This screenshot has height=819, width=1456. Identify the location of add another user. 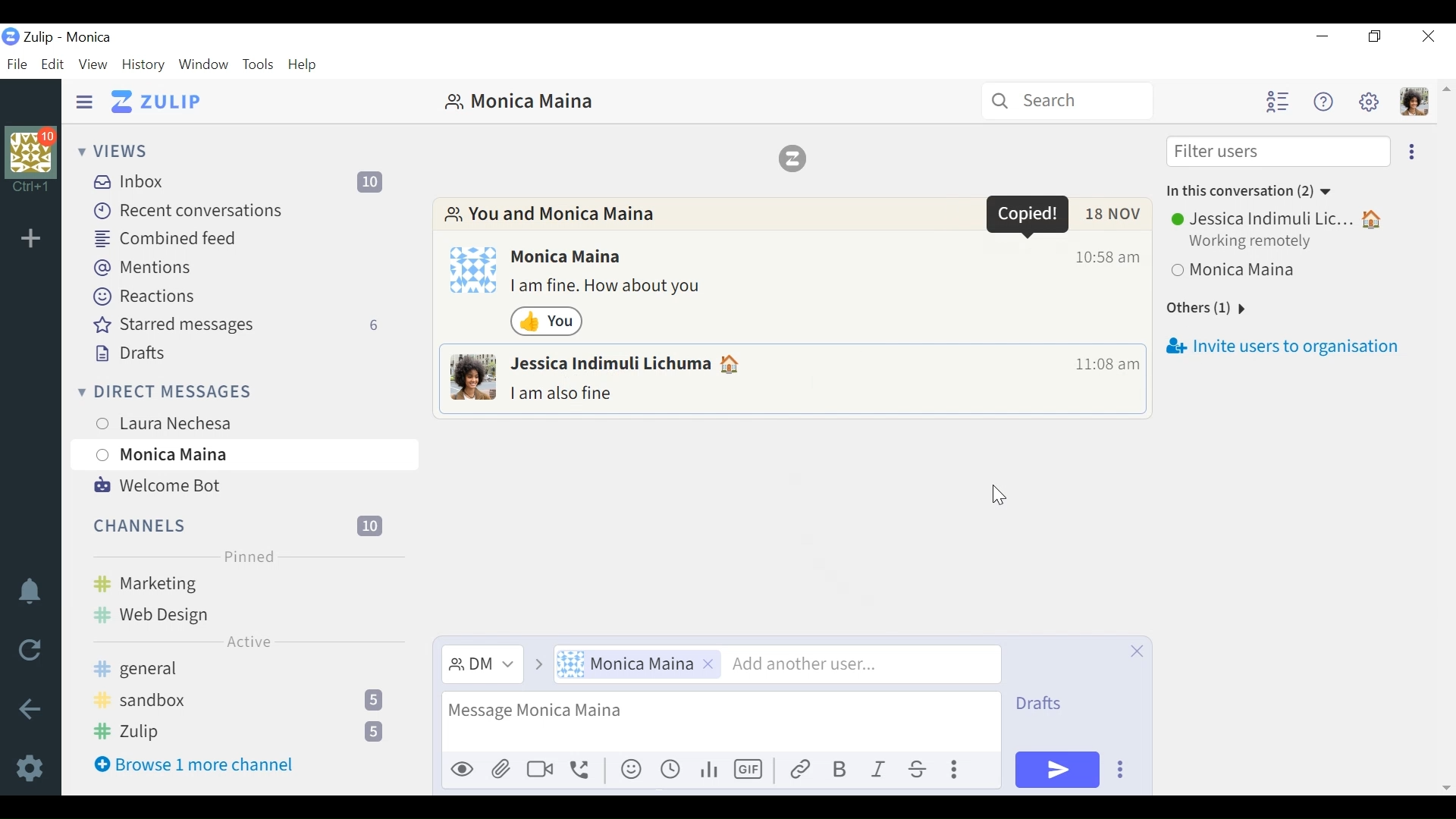
(861, 664).